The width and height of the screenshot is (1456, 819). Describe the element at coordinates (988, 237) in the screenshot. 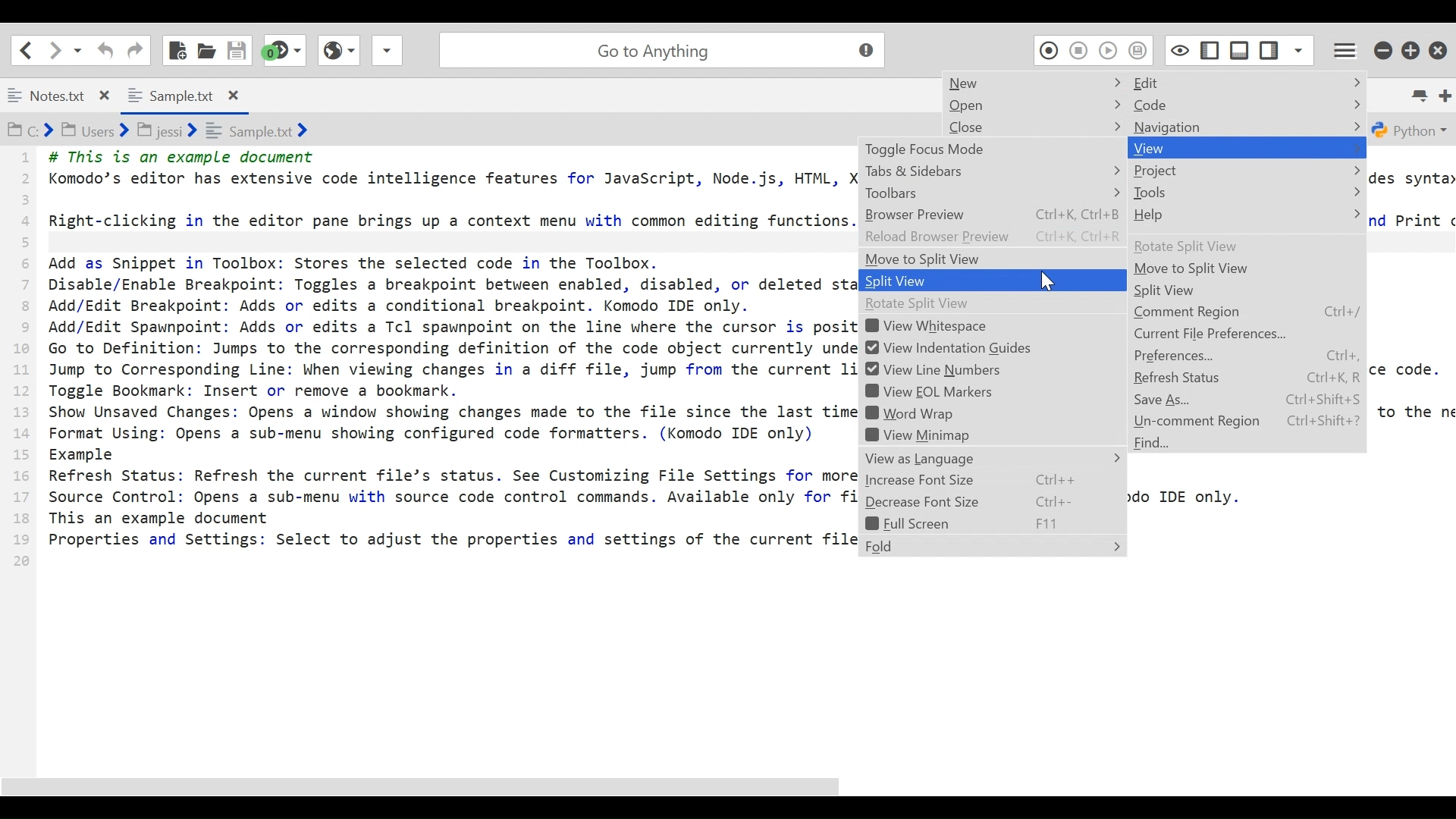

I see `Reload Browser Preview` at that location.